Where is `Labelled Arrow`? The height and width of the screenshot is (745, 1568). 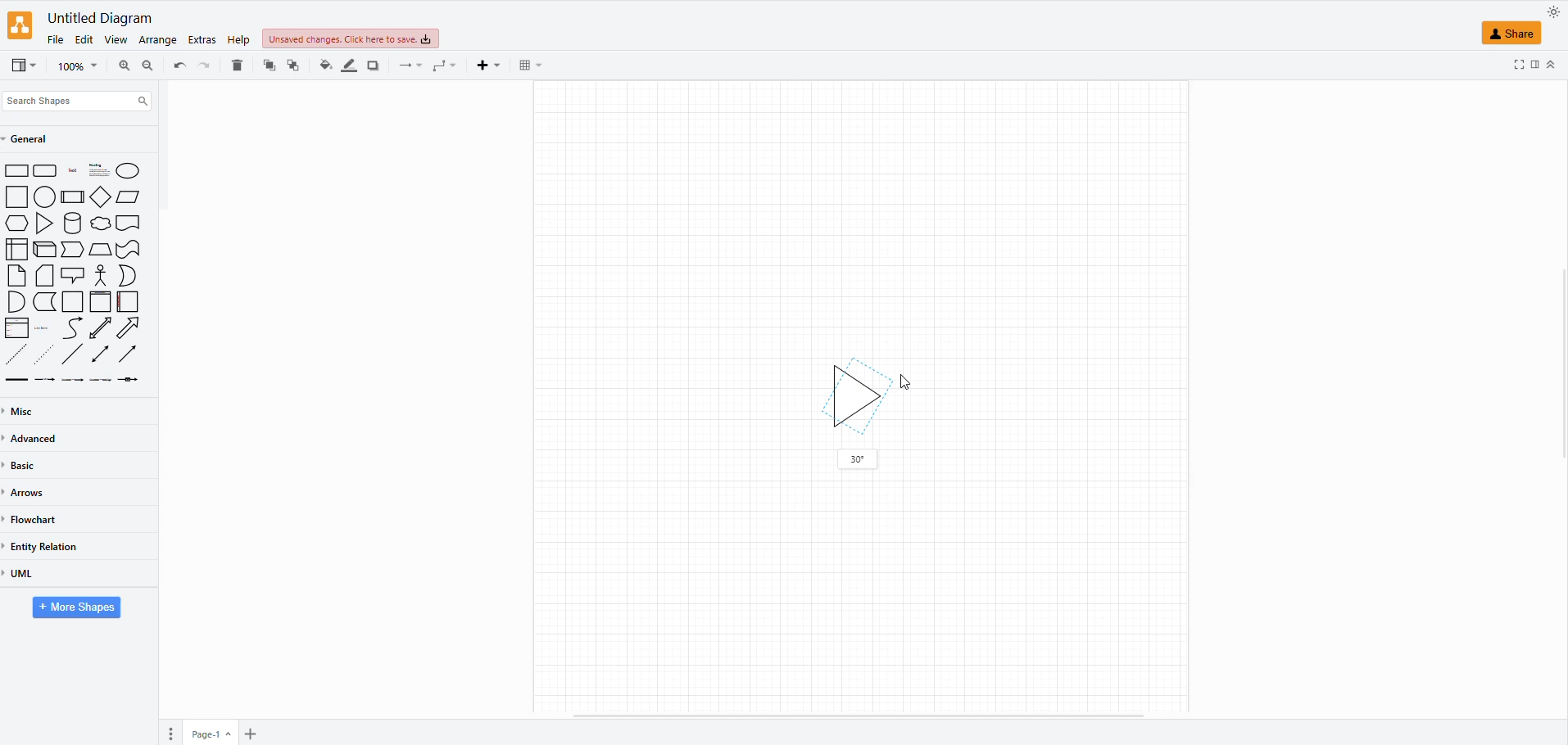
Labelled Arrow is located at coordinates (101, 380).